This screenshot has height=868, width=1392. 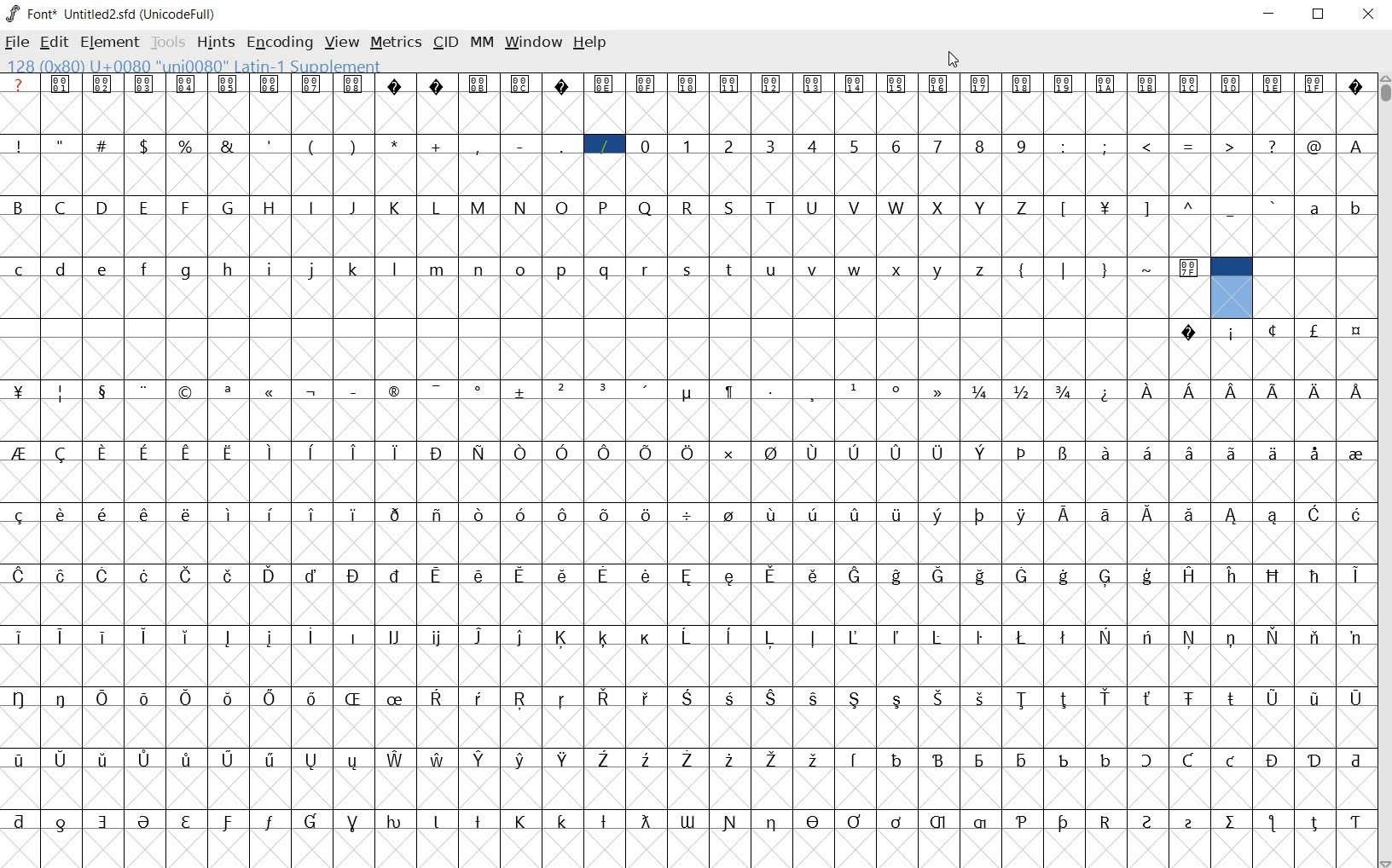 I want to click on Symbol, so click(x=727, y=638).